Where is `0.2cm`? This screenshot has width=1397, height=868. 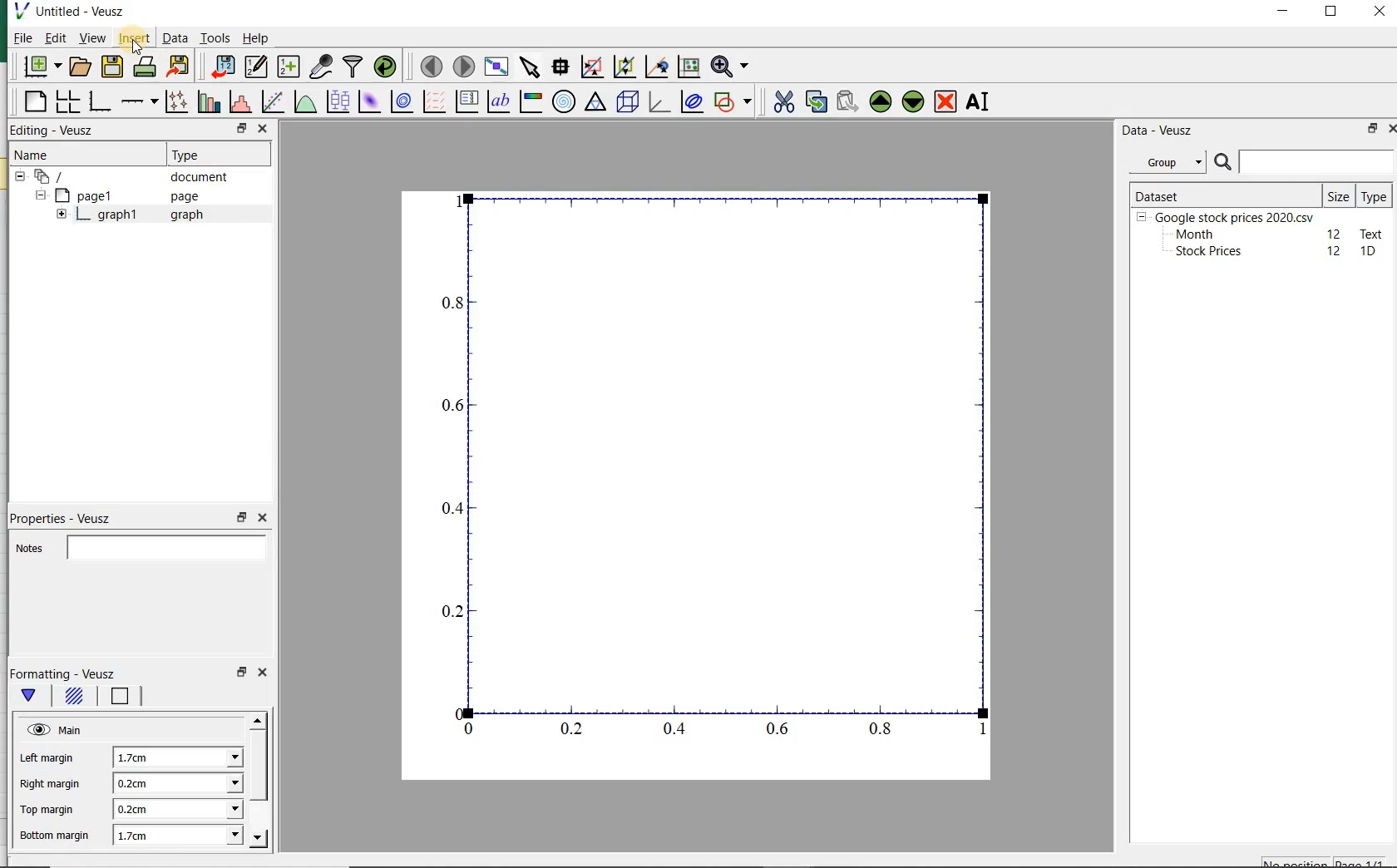 0.2cm is located at coordinates (179, 784).